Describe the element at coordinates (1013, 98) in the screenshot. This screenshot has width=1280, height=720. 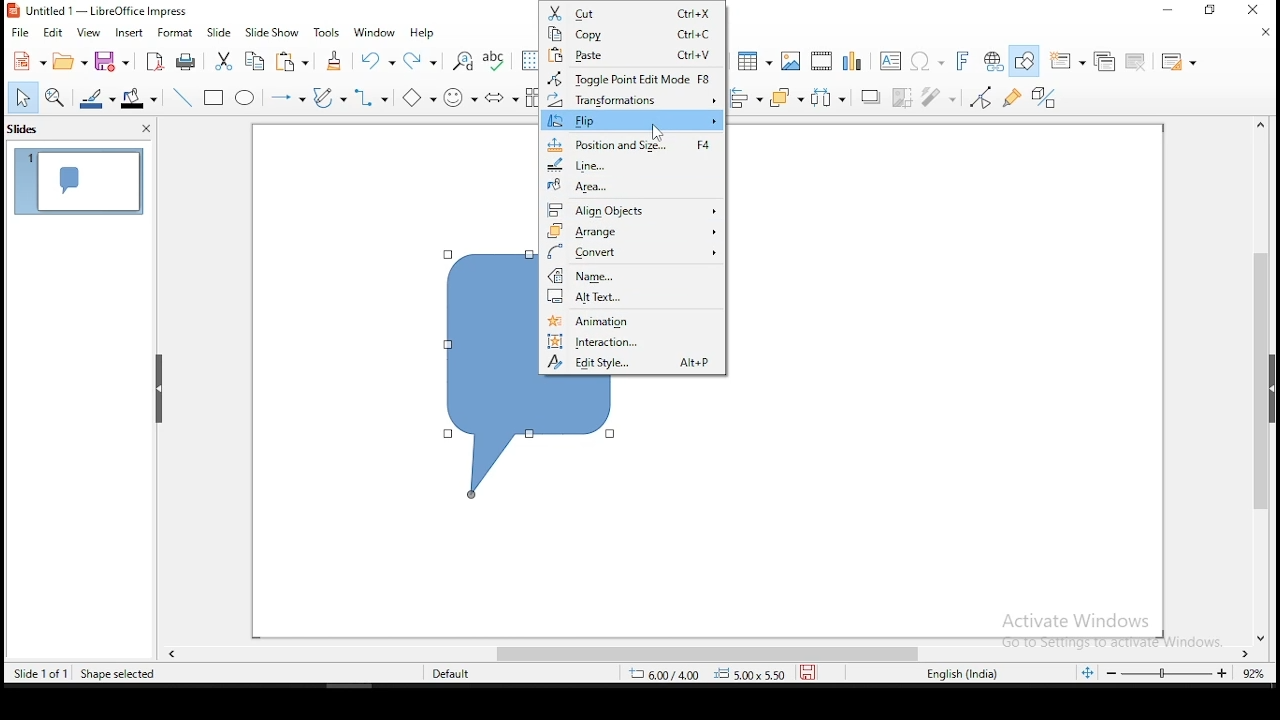
I see `show gluepoint functions` at that location.